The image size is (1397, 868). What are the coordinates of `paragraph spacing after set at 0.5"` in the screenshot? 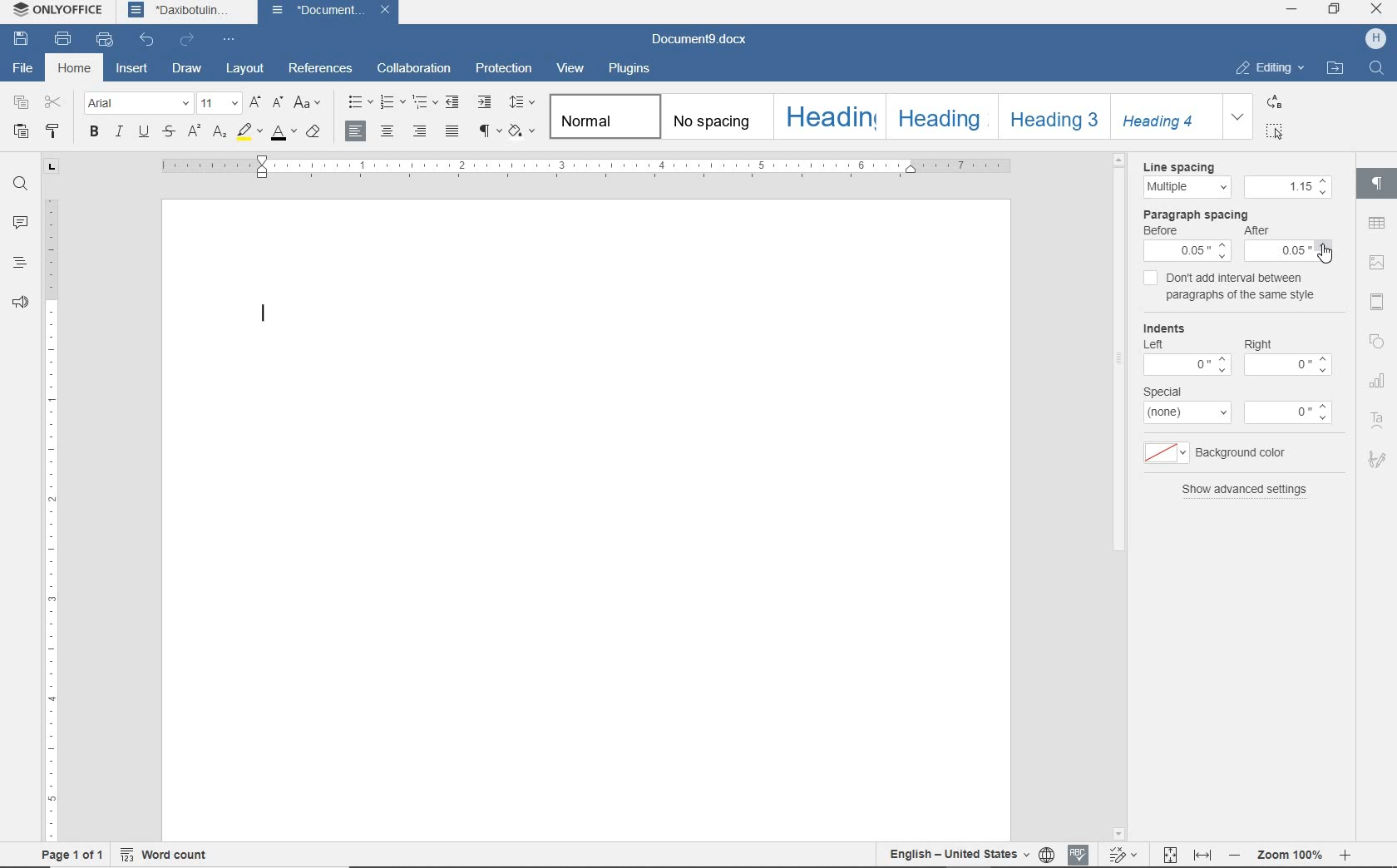 It's located at (1289, 244).